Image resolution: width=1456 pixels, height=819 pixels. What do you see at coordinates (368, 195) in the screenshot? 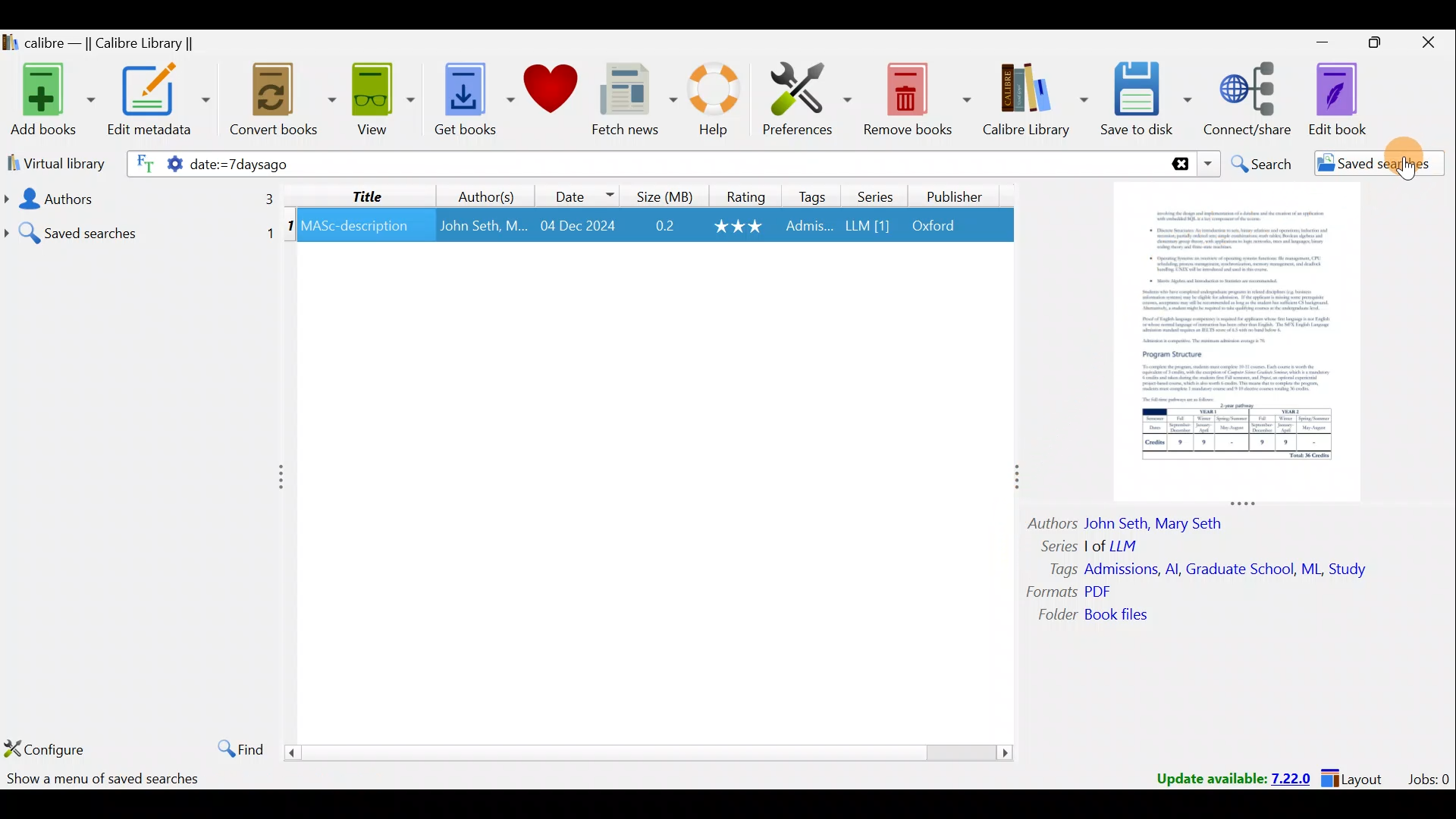
I see `Title` at bounding box center [368, 195].